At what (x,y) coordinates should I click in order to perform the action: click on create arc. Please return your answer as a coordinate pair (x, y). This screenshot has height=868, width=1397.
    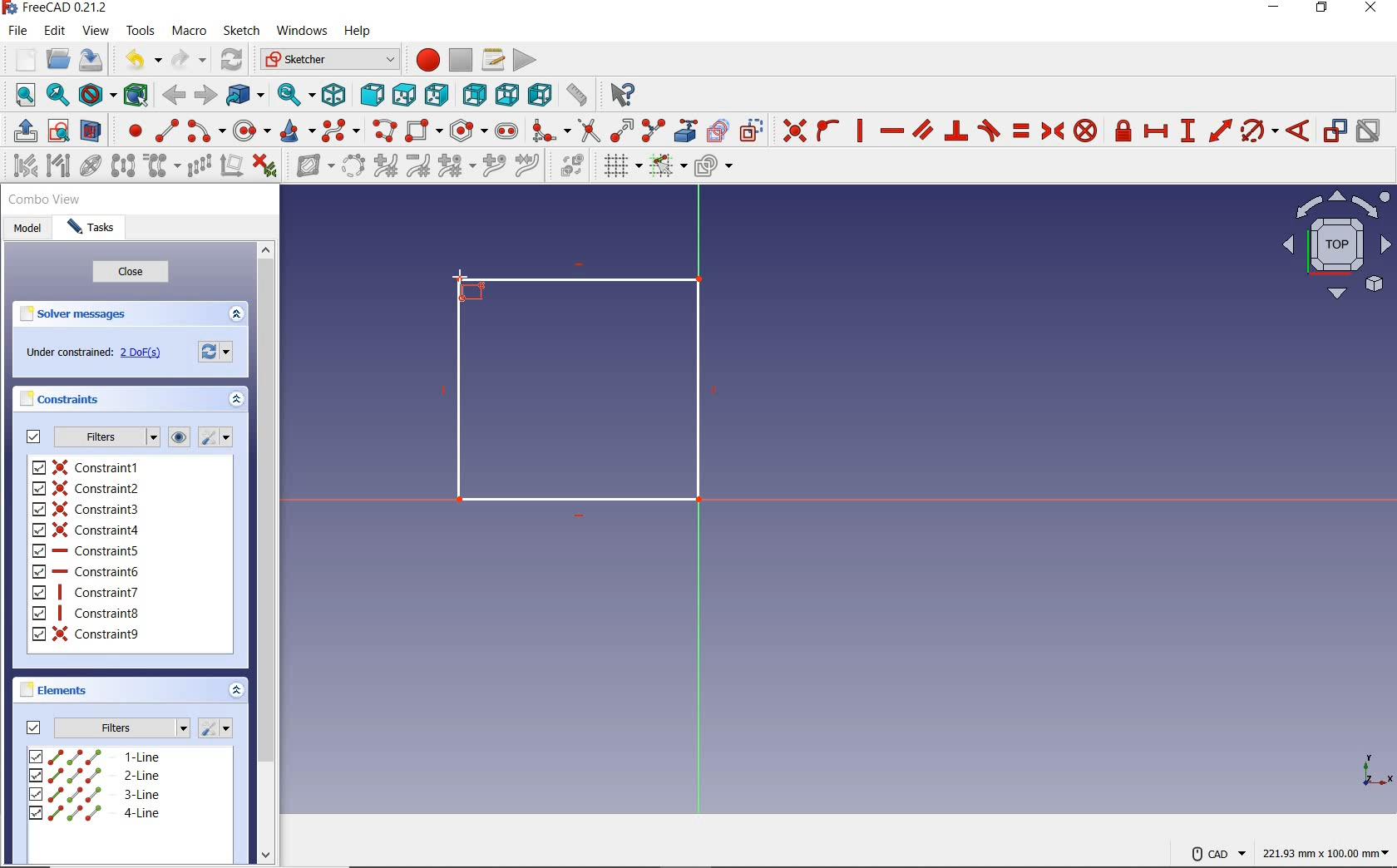
    Looking at the image, I should click on (205, 131).